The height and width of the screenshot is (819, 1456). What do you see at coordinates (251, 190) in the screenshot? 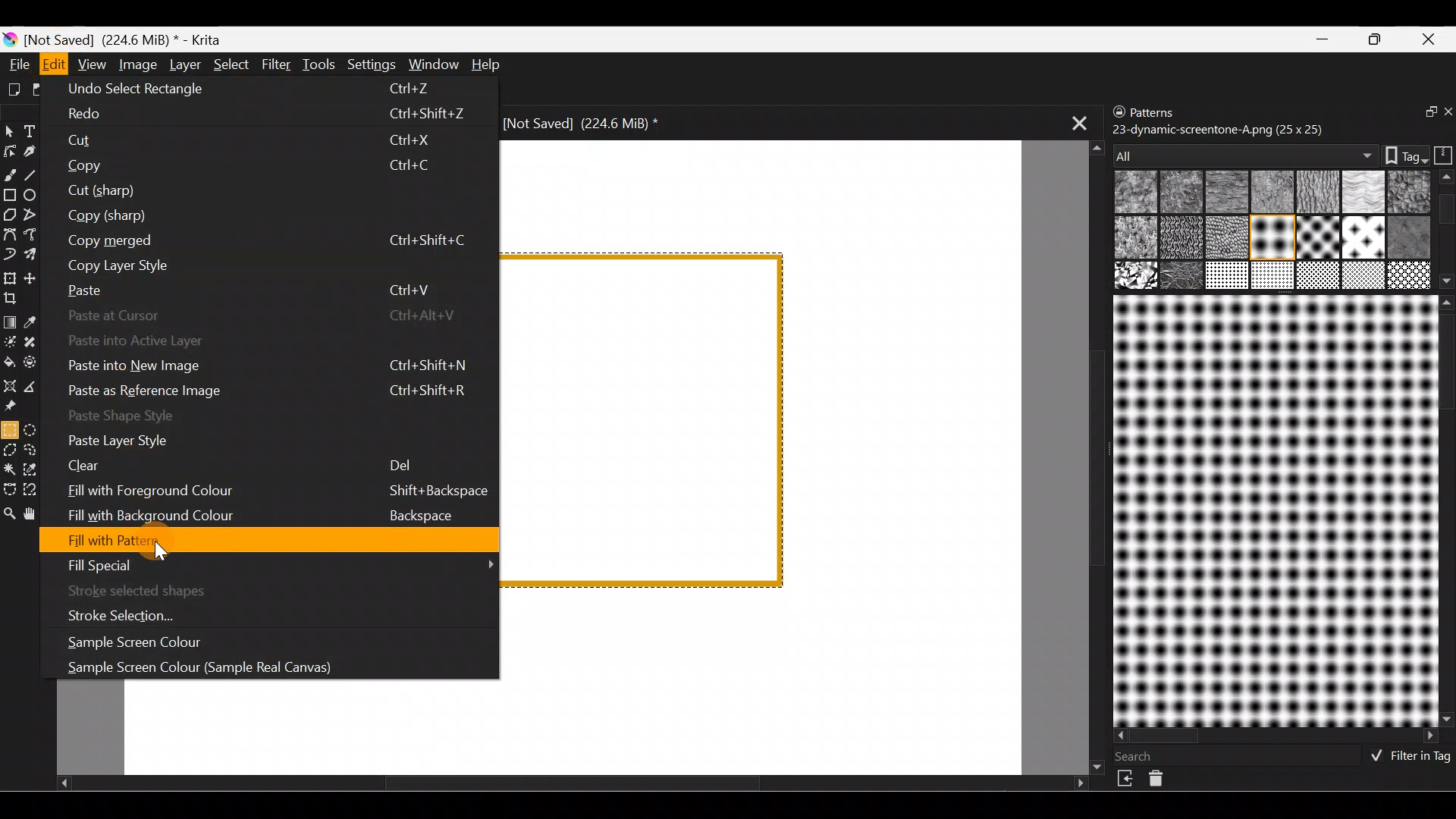
I see `Cut (sharp)` at bounding box center [251, 190].